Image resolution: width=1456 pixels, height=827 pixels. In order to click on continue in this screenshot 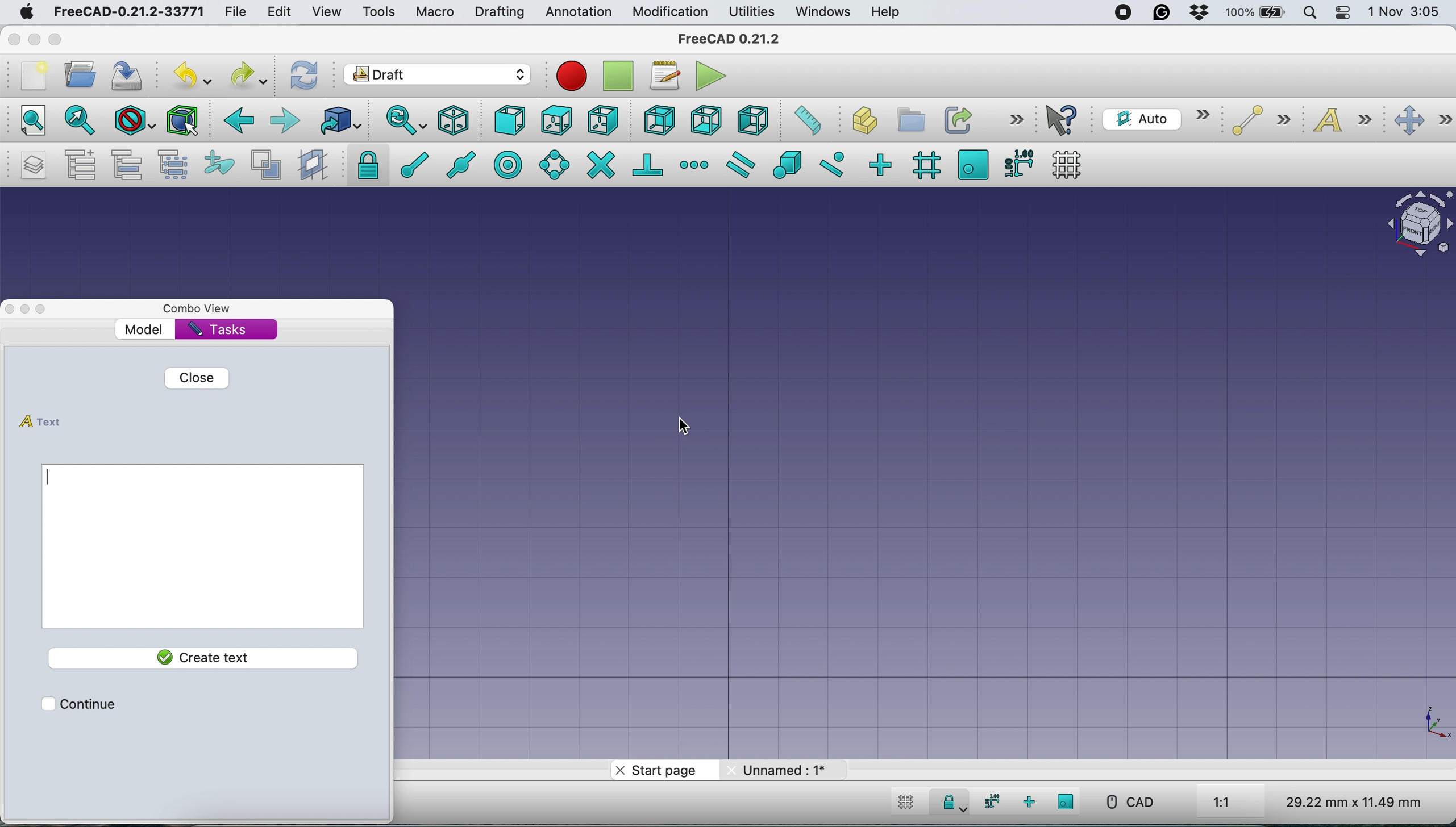, I will do `click(78, 706)`.